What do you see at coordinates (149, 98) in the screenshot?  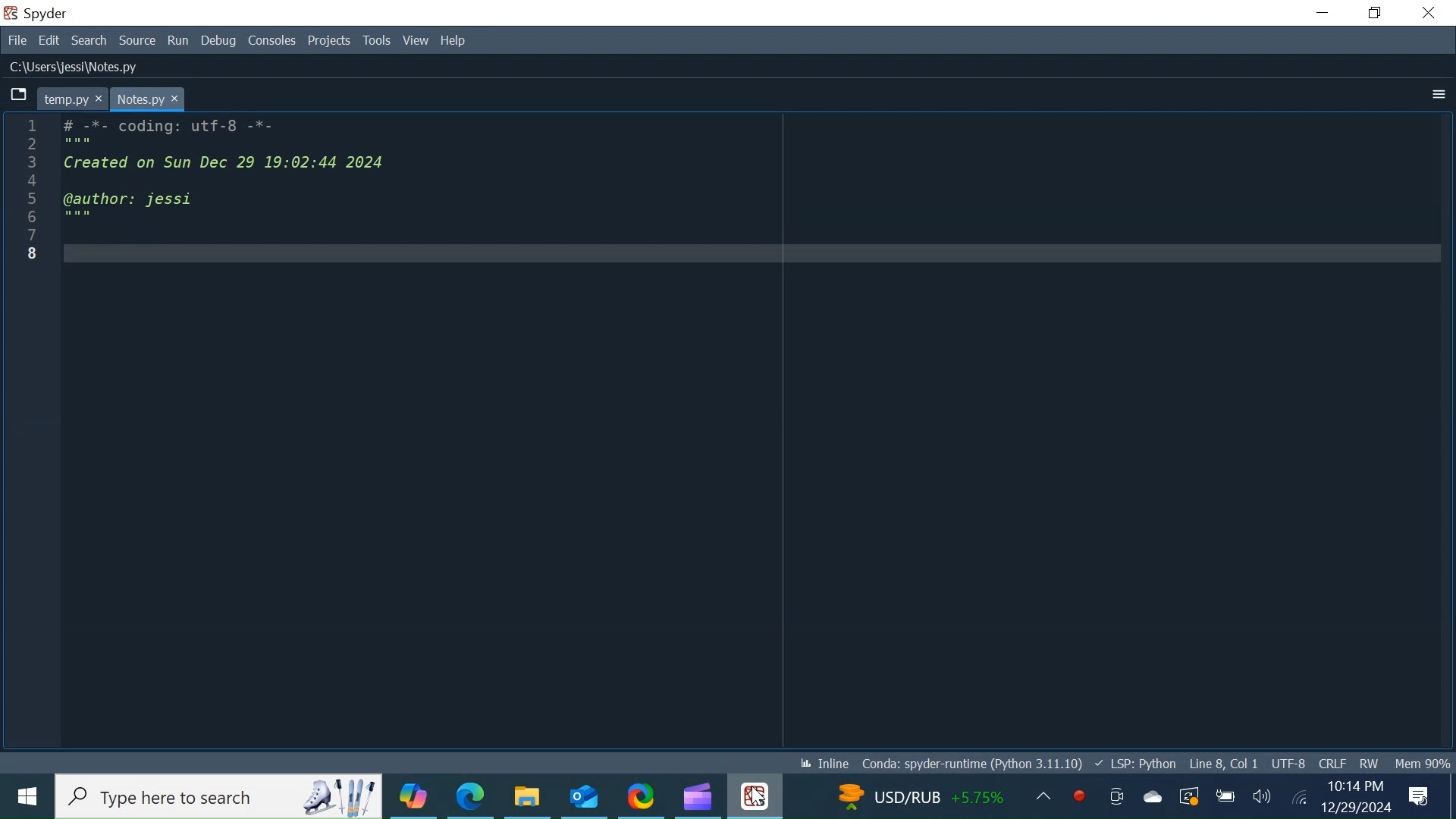 I see `notes.py` at bounding box center [149, 98].